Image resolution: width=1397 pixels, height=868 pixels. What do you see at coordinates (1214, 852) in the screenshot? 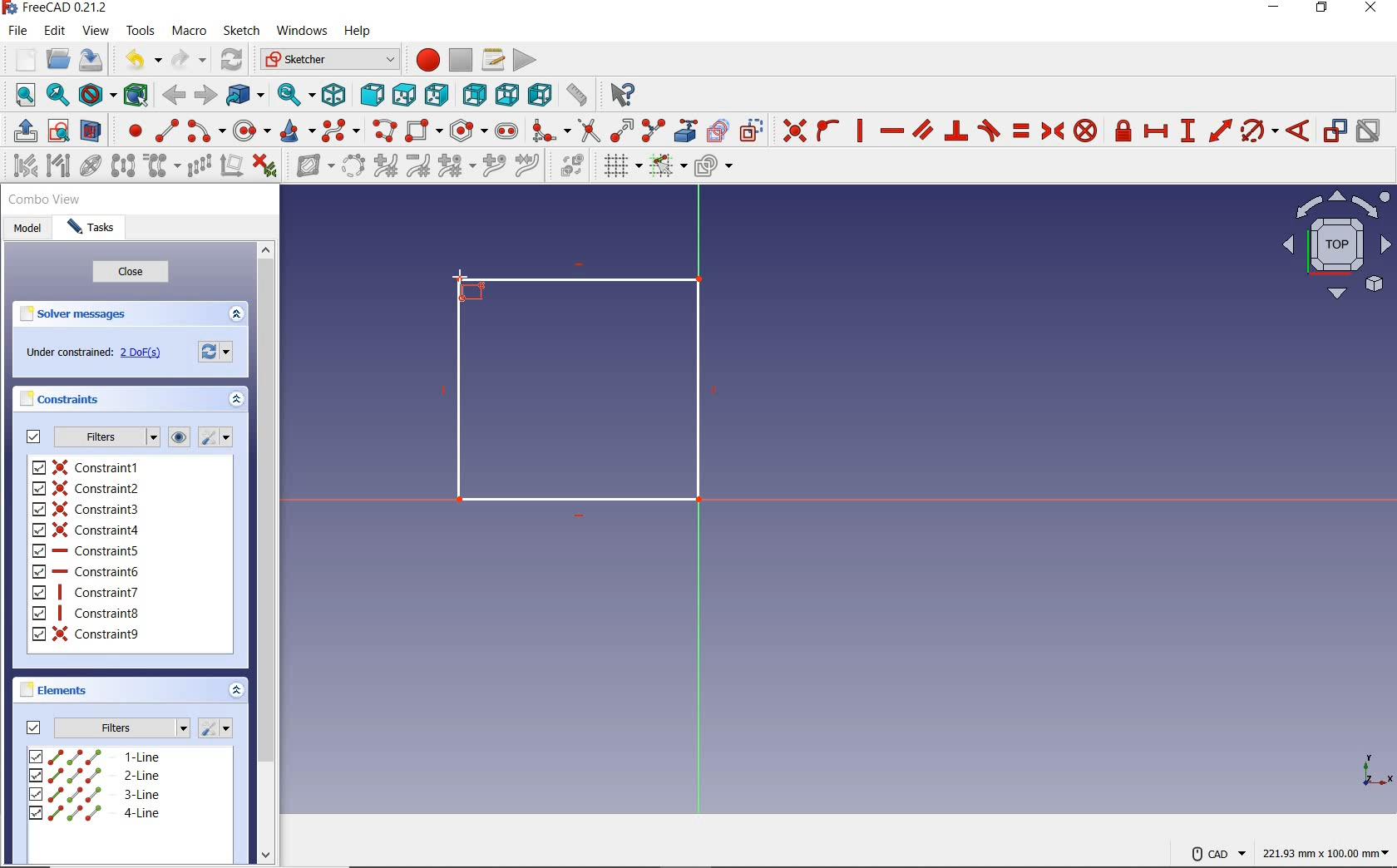
I see `CAD Navigation style` at bounding box center [1214, 852].